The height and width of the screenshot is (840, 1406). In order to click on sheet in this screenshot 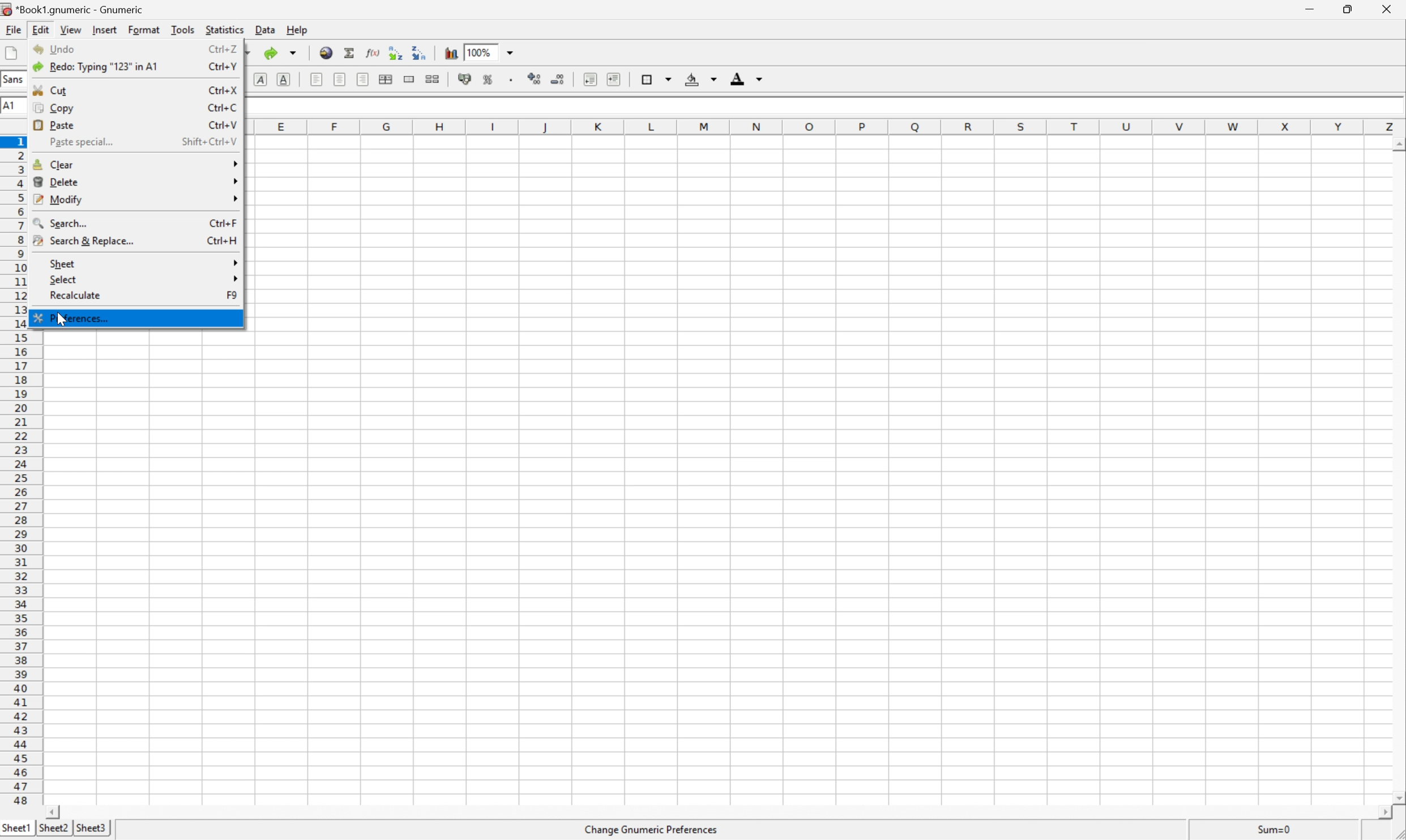, I will do `click(143, 264)`.